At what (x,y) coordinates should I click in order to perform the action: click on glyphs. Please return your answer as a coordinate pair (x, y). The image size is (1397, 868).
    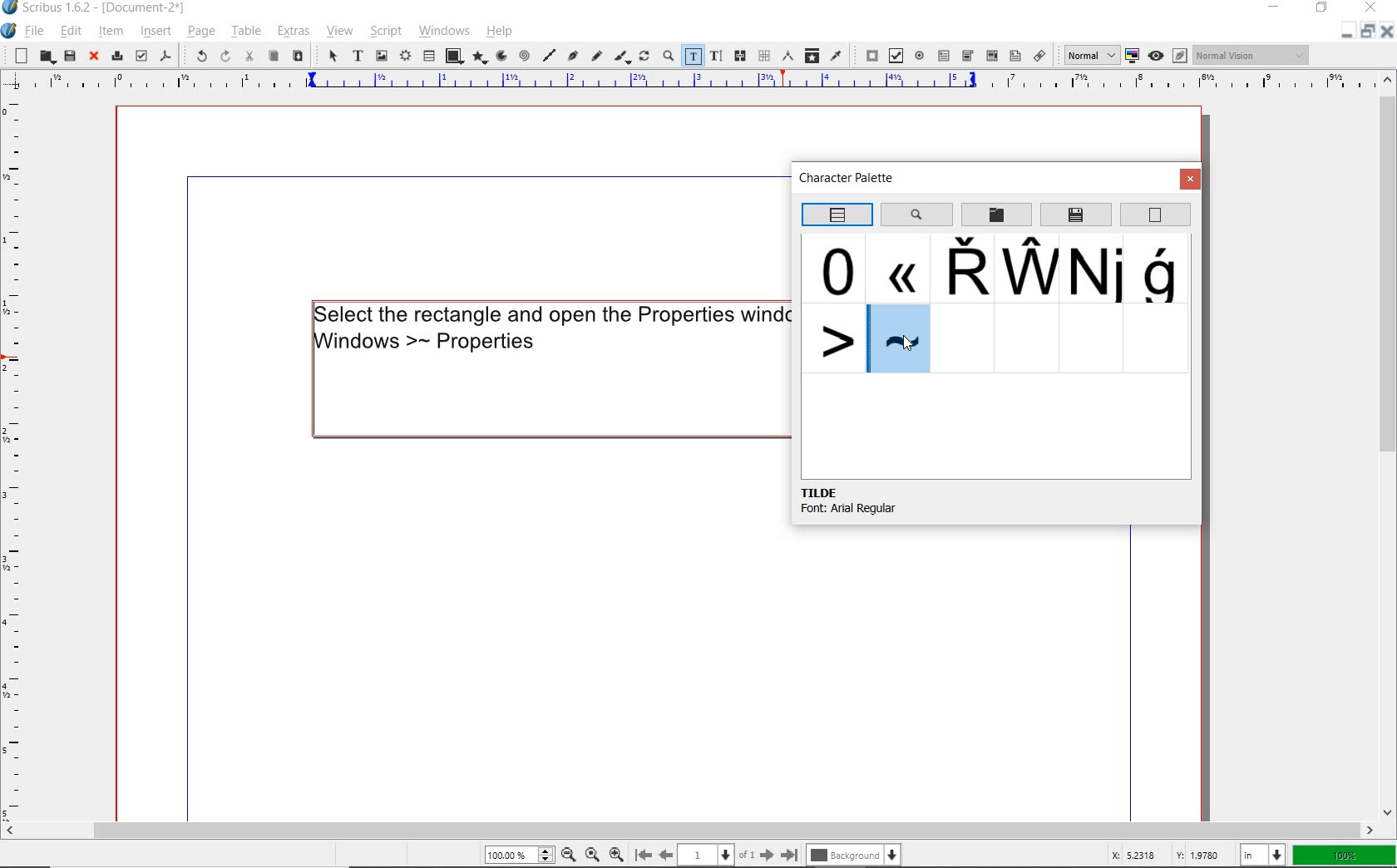
    Looking at the image, I should click on (1097, 270).